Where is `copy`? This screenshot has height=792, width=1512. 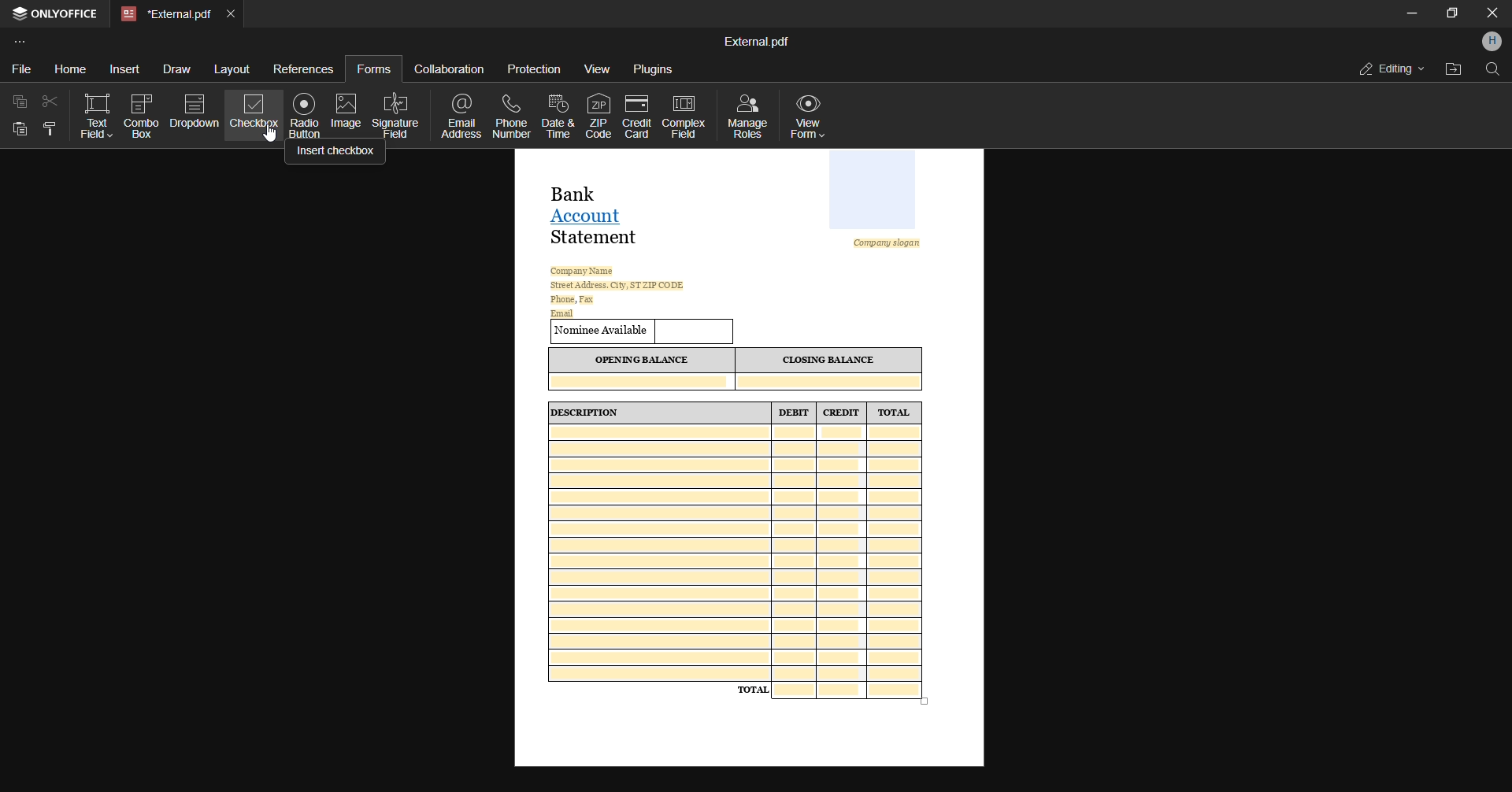
copy is located at coordinates (17, 102).